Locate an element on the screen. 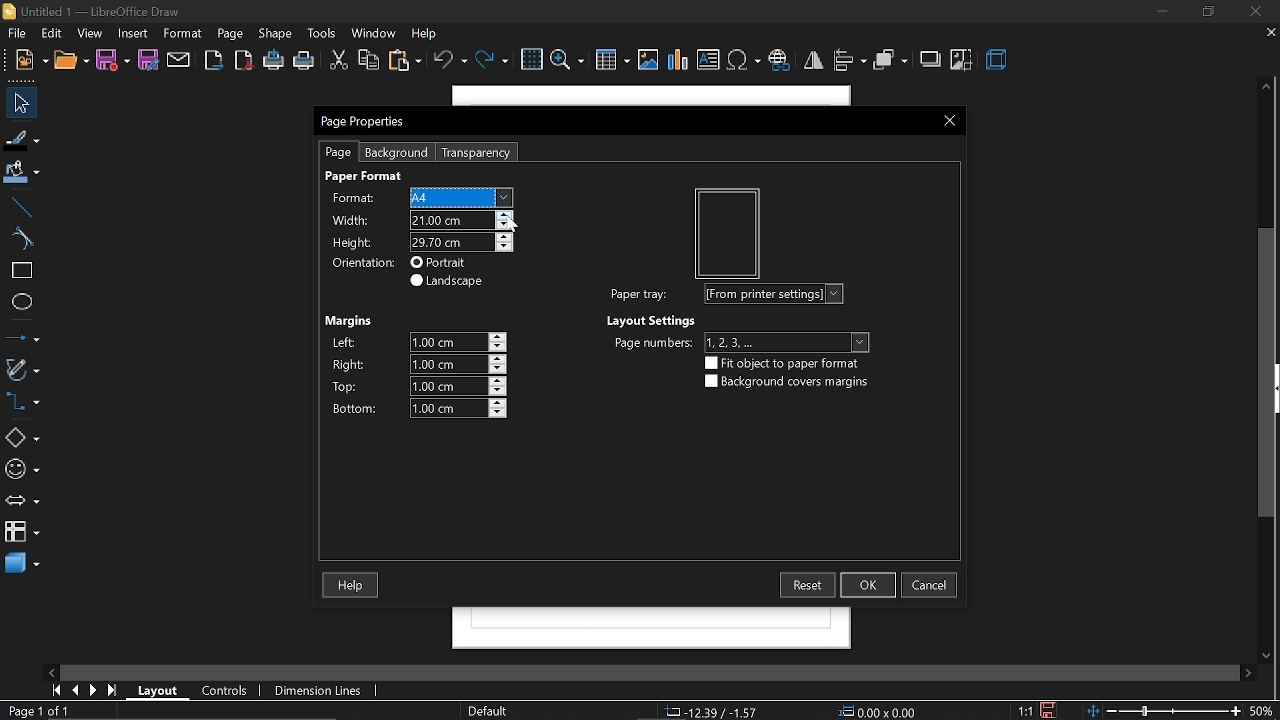 This screenshot has width=1280, height=720. crop is located at coordinates (961, 62).